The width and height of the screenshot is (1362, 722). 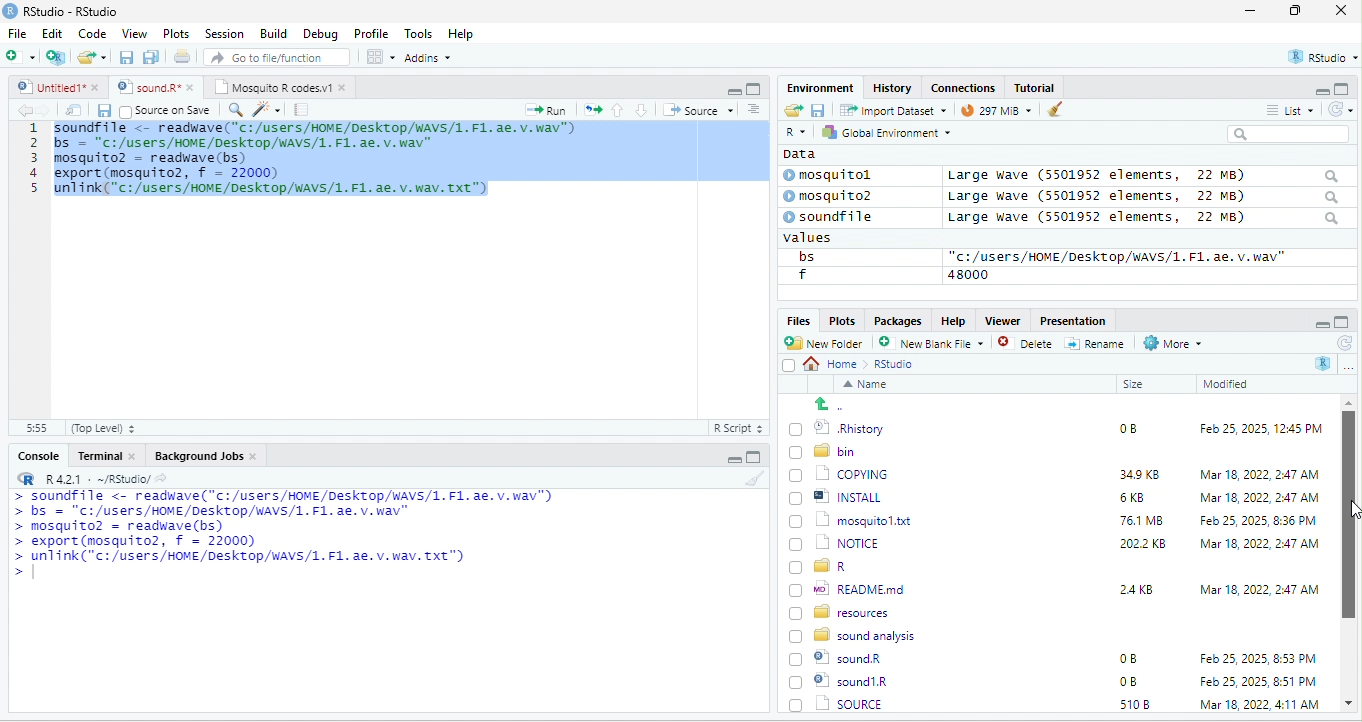 What do you see at coordinates (733, 90) in the screenshot?
I see `minimize` at bounding box center [733, 90].